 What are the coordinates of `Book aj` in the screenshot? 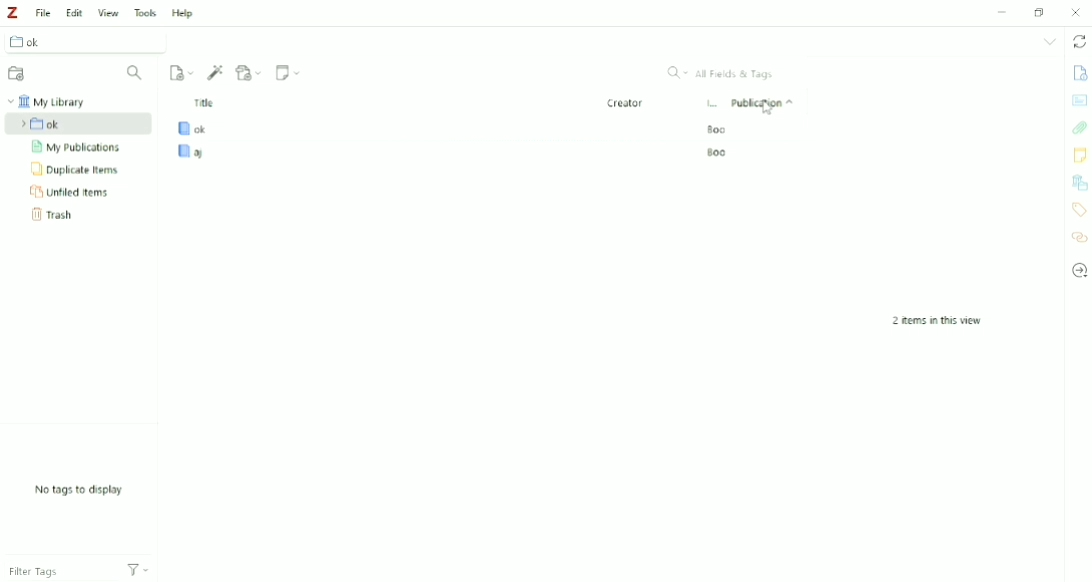 It's located at (454, 152).